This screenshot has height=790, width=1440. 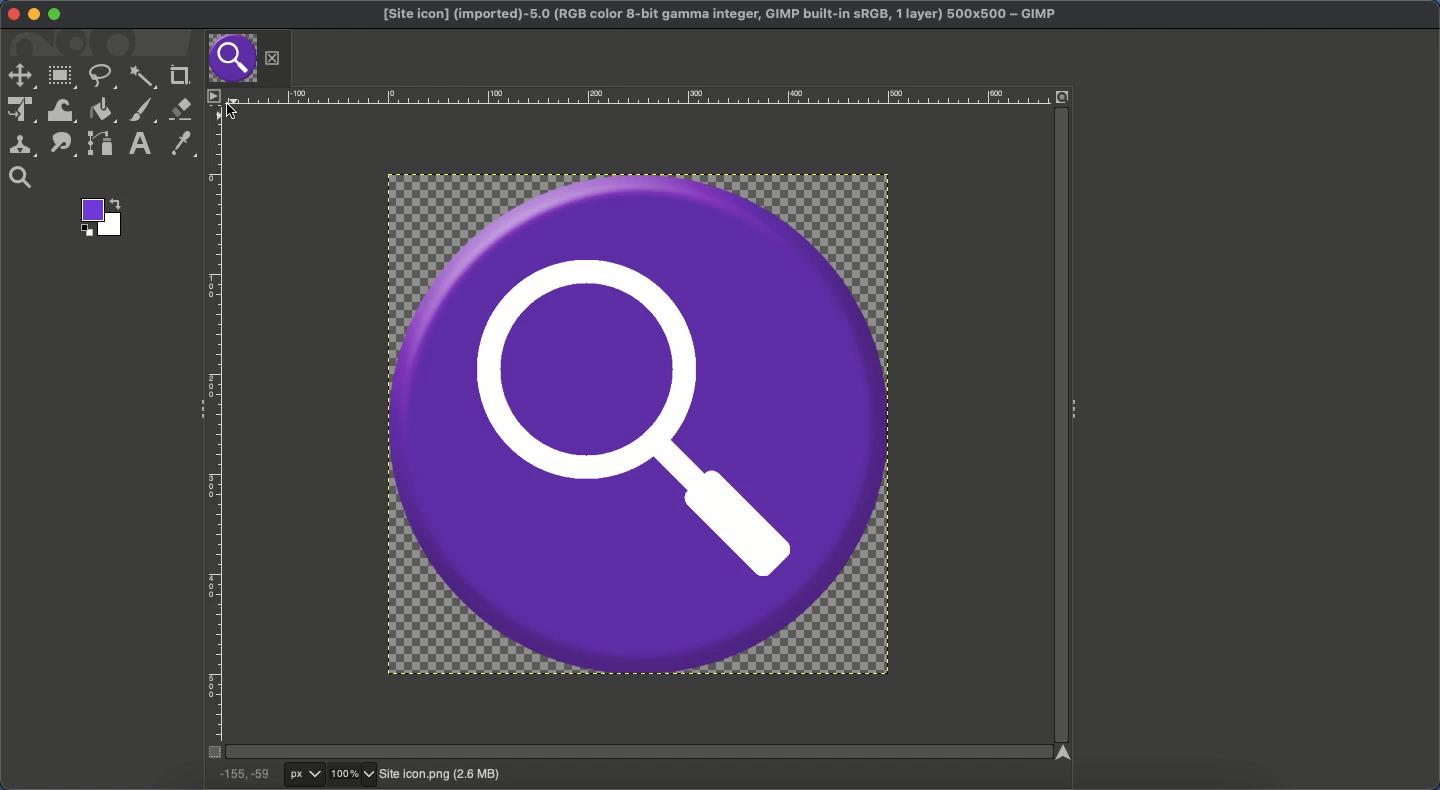 What do you see at coordinates (231, 112) in the screenshot?
I see `cursor` at bounding box center [231, 112].